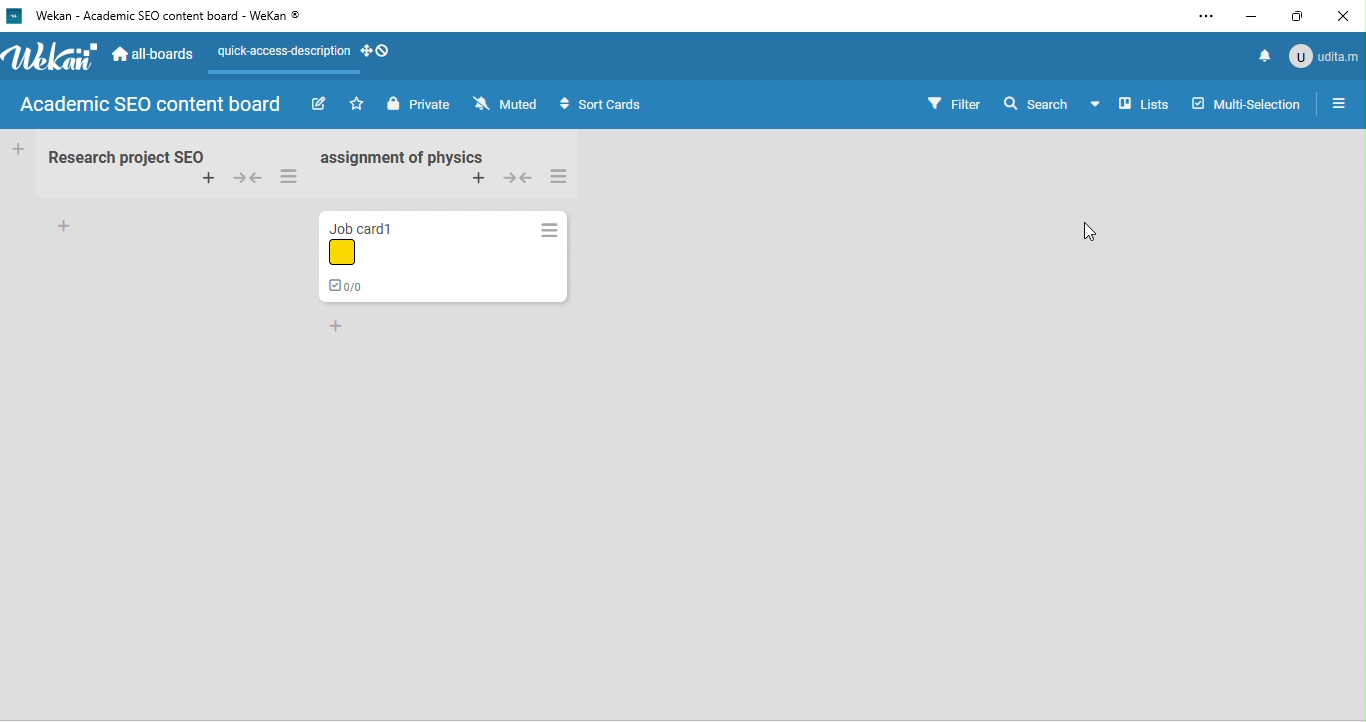 The image size is (1366, 722). Describe the element at coordinates (377, 55) in the screenshot. I see `show desktop drag handles` at that location.